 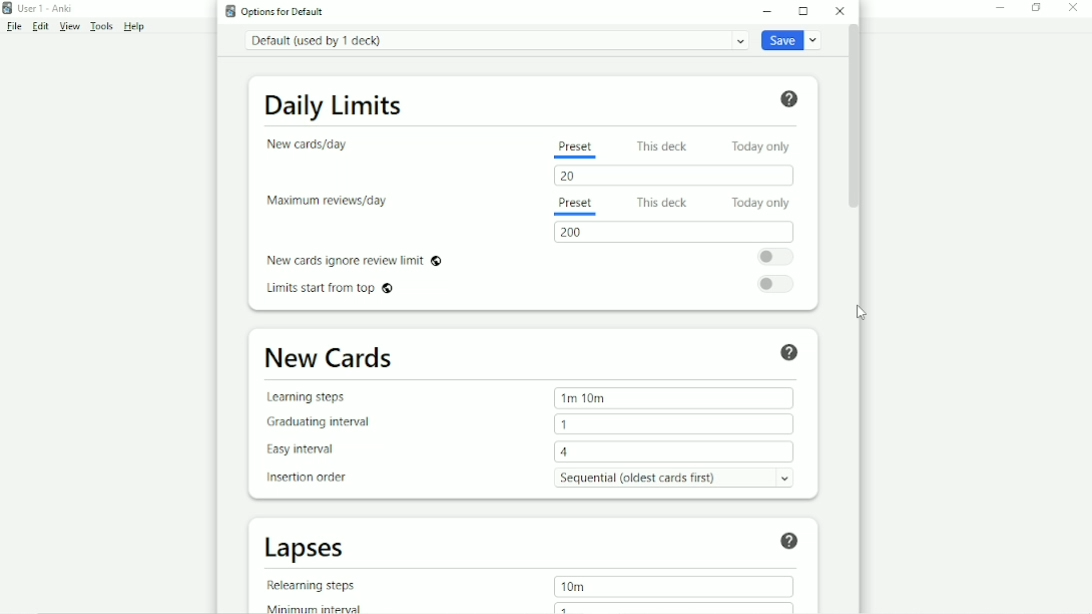 I want to click on Learning steps, so click(x=310, y=397).